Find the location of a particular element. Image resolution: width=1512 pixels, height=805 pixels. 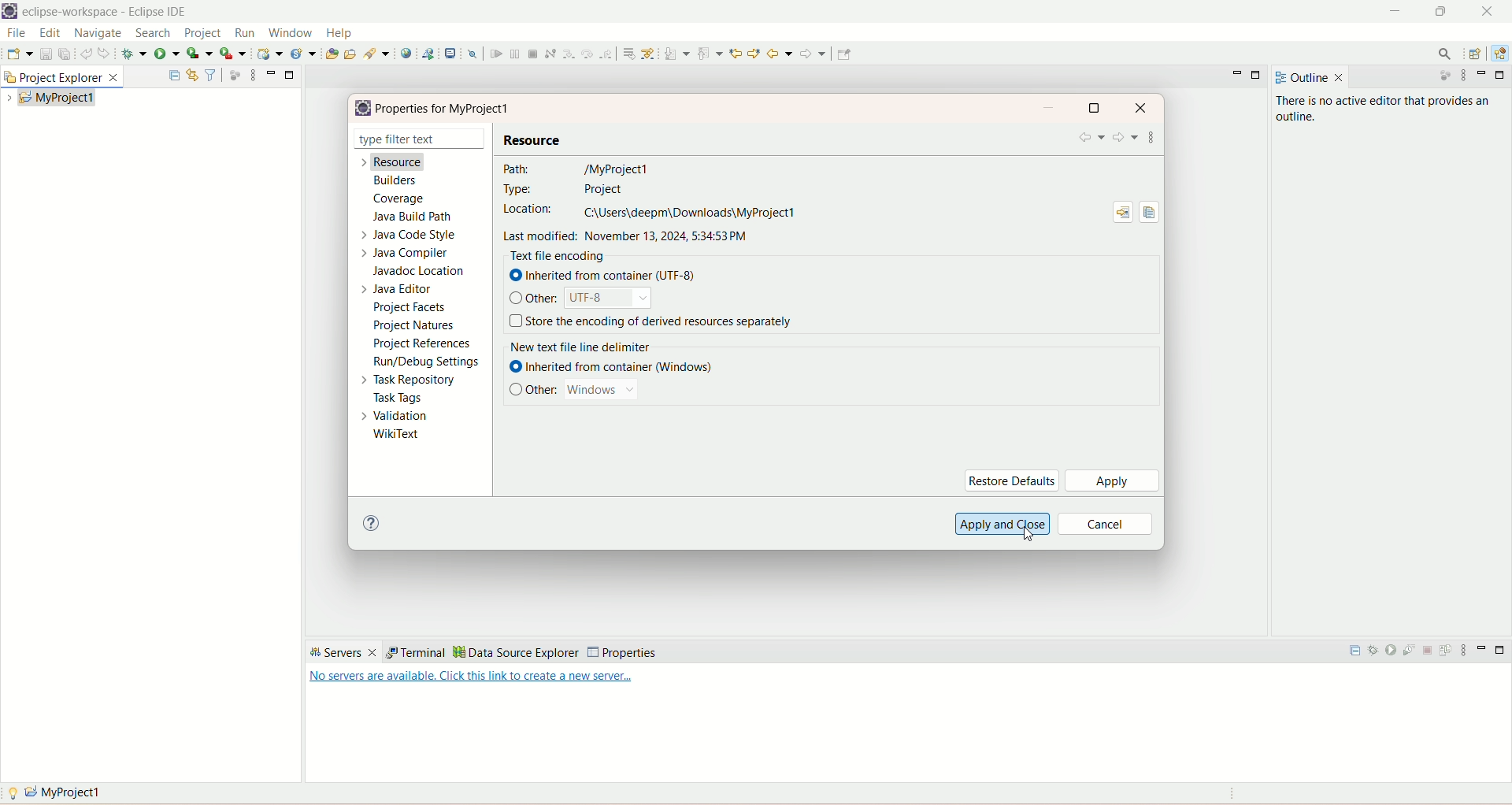

step over is located at coordinates (587, 54).